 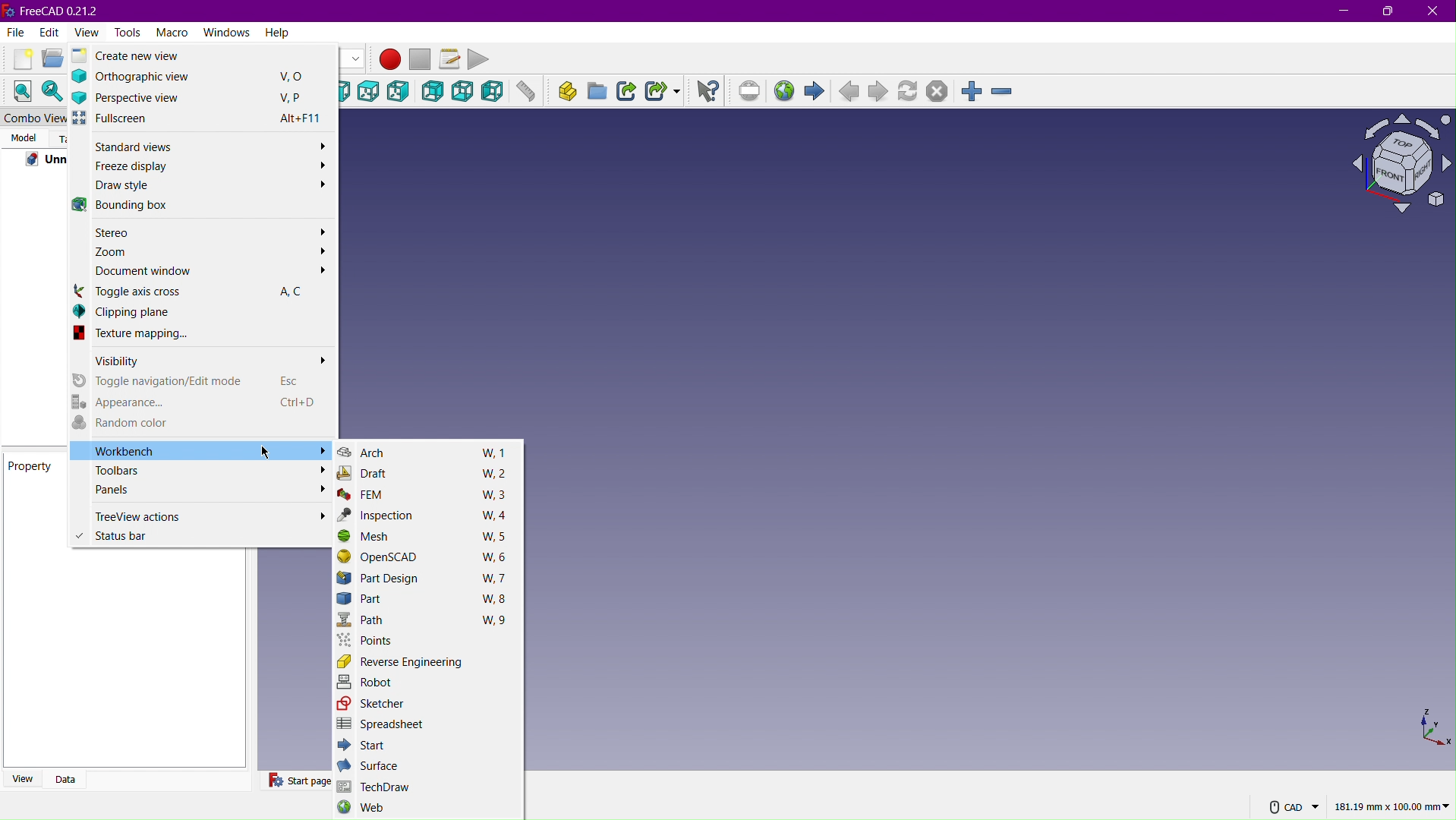 I want to click on Macro , so click(x=178, y=33).